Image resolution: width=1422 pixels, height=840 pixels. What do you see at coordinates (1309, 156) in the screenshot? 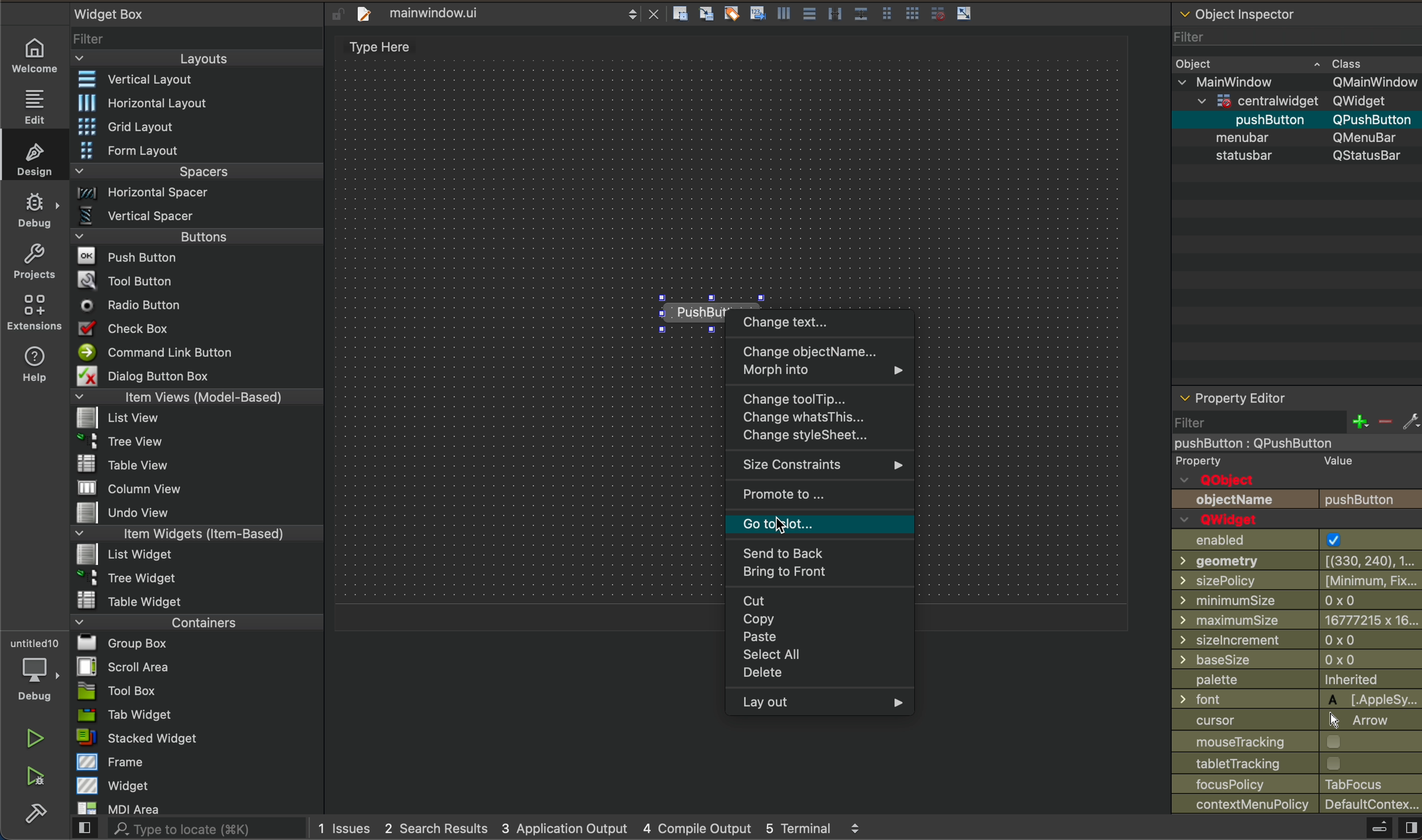
I see `s` at bounding box center [1309, 156].